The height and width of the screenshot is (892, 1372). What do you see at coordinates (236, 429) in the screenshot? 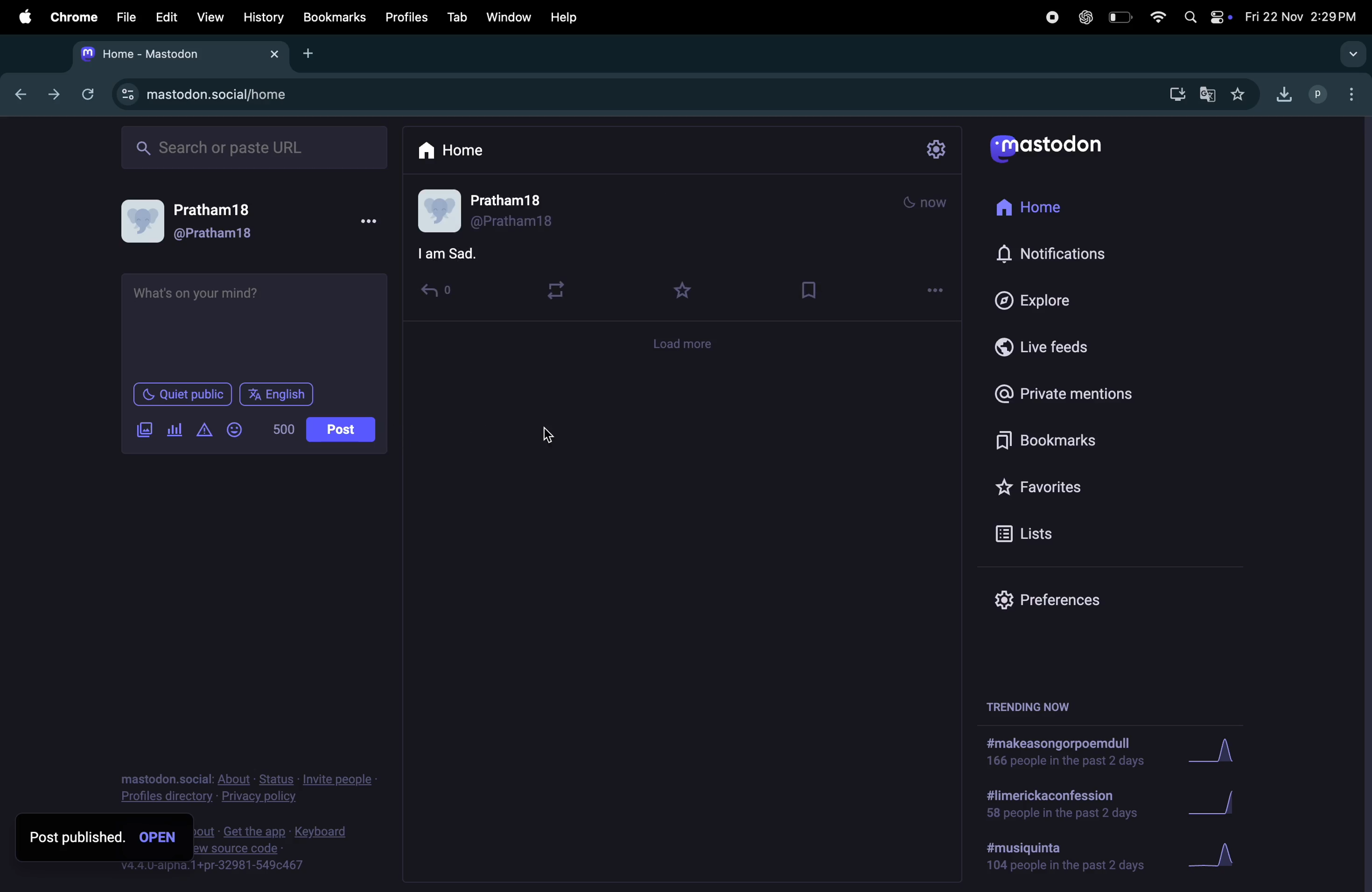
I see `add emoji` at bounding box center [236, 429].